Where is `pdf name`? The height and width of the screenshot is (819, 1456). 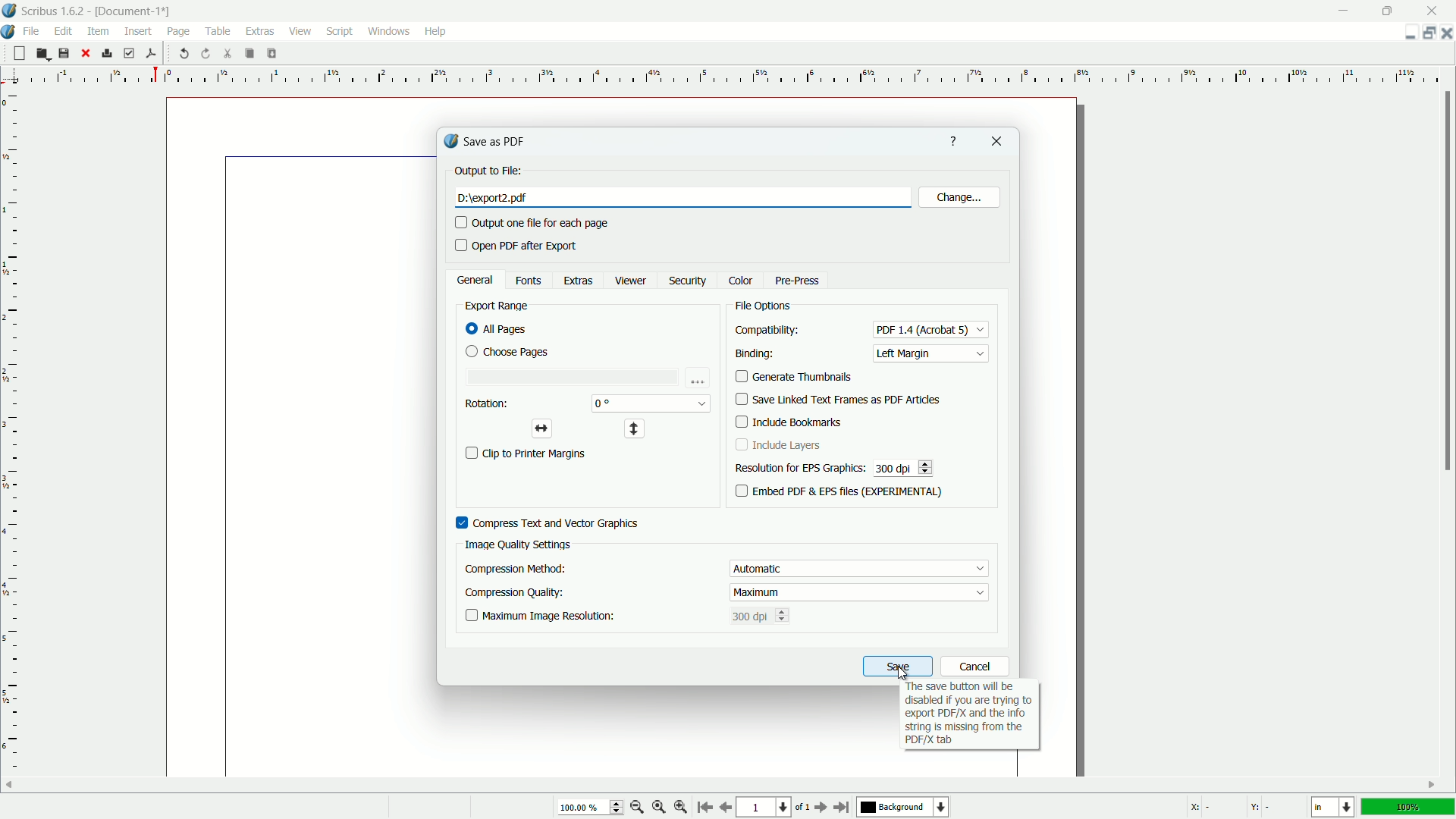 pdf name is located at coordinates (497, 197).